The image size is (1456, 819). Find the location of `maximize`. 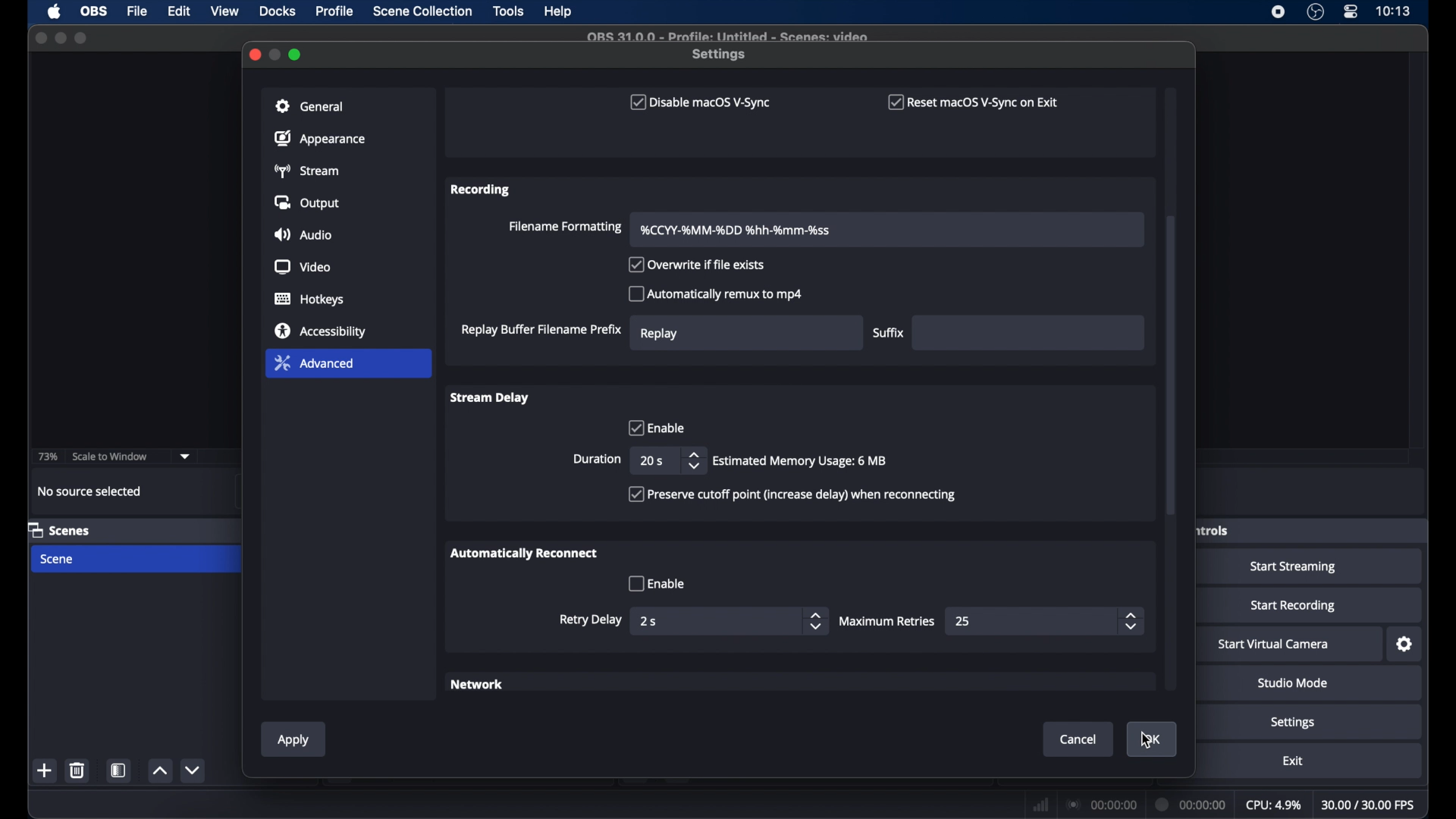

maximize is located at coordinates (297, 55).